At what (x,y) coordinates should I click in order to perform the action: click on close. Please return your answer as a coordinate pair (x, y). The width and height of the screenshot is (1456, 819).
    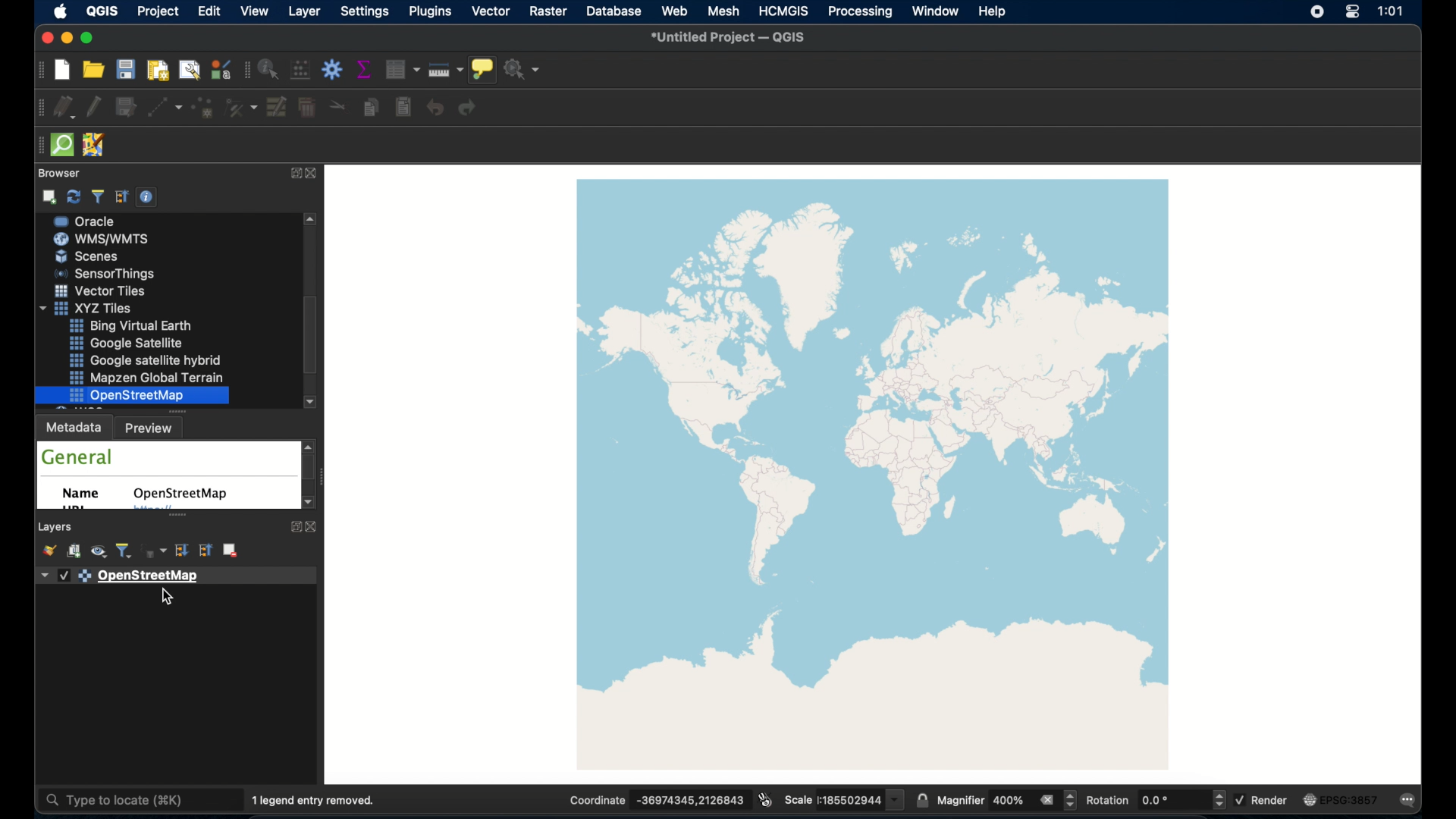
    Looking at the image, I should click on (313, 174).